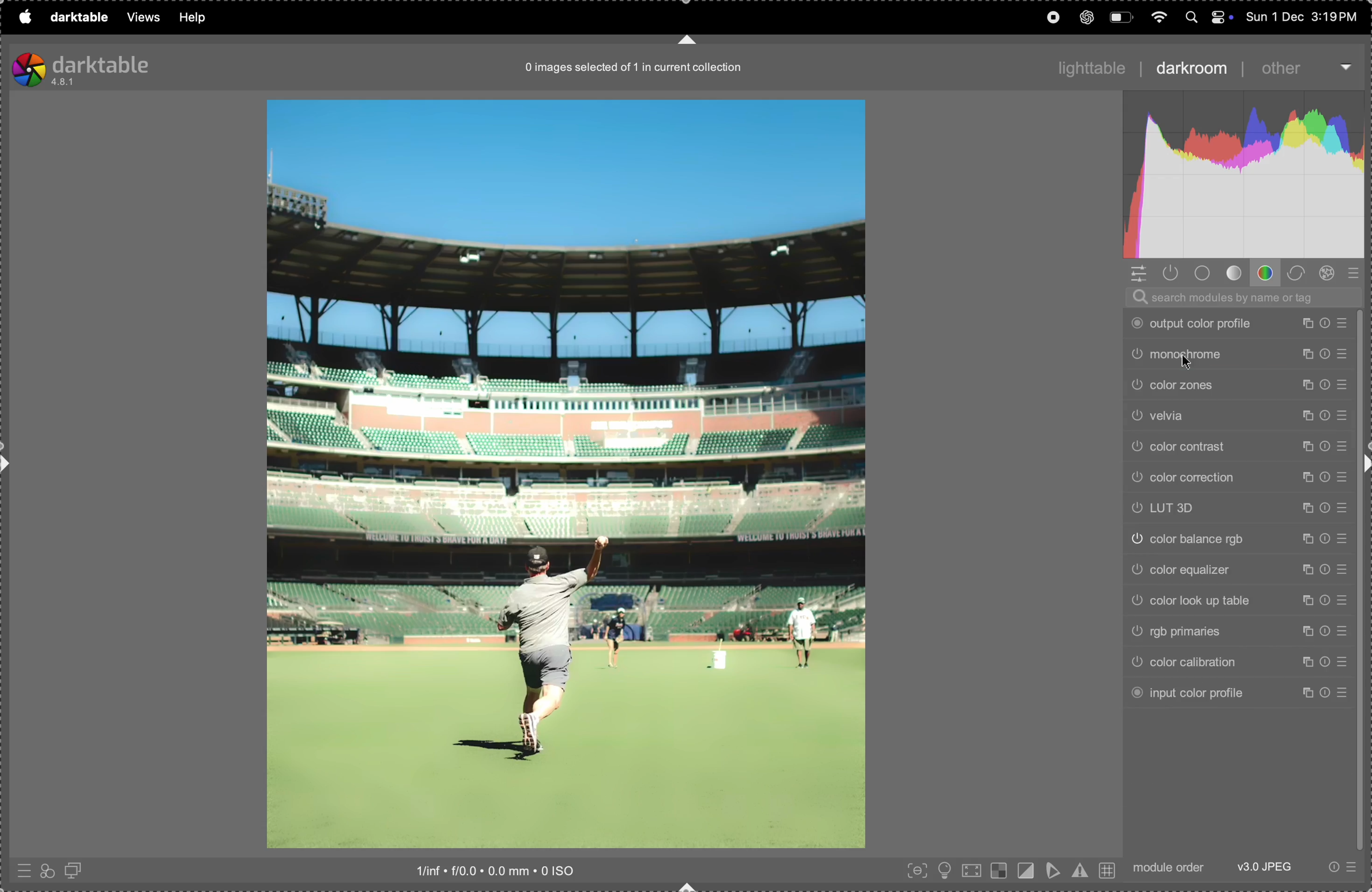 The width and height of the screenshot is (1372, 892). I want to click on color, so click(1268, 273).